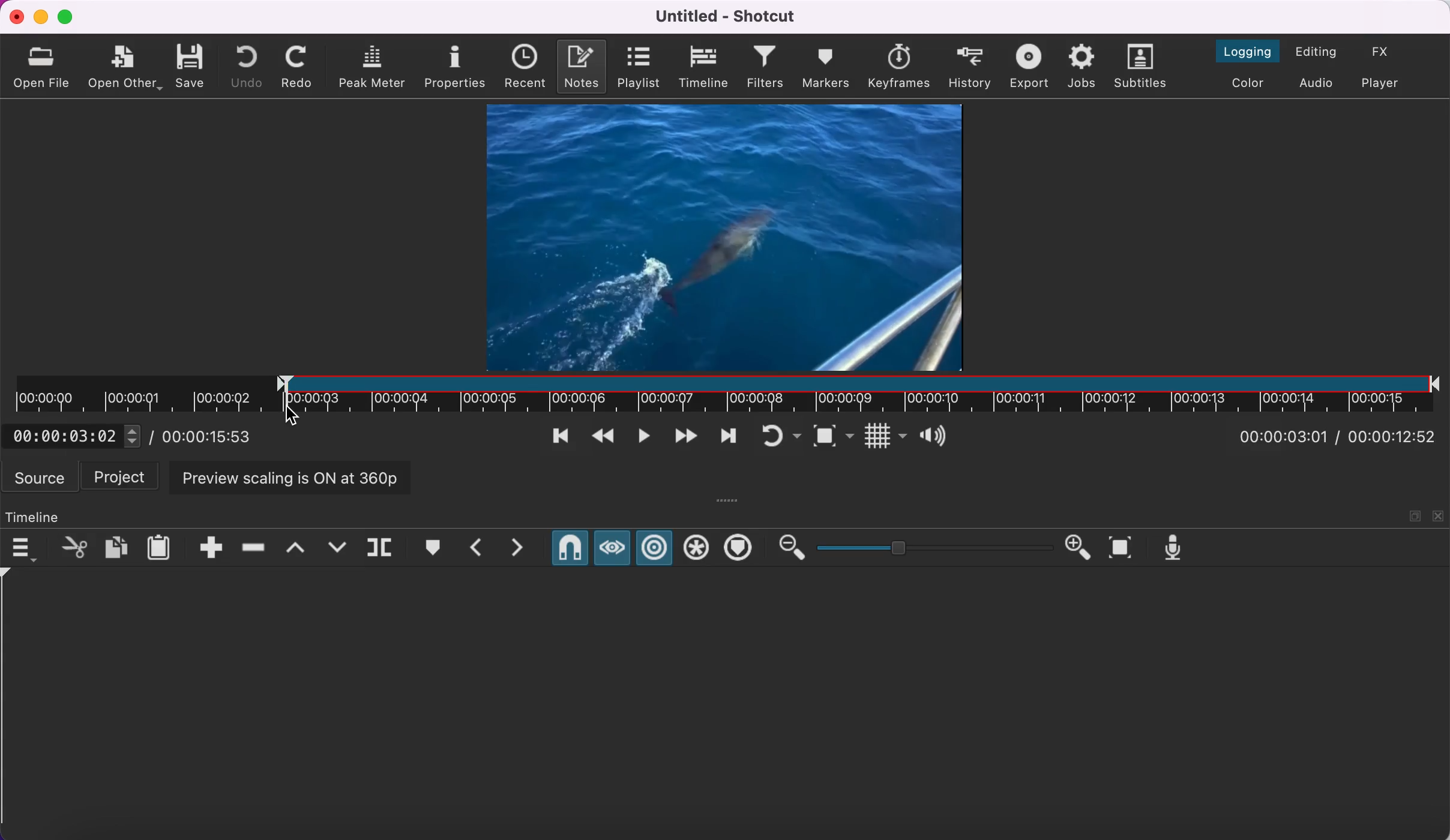 This screenshot has height=840, width=1450. I want to click on , so click(775, 436).